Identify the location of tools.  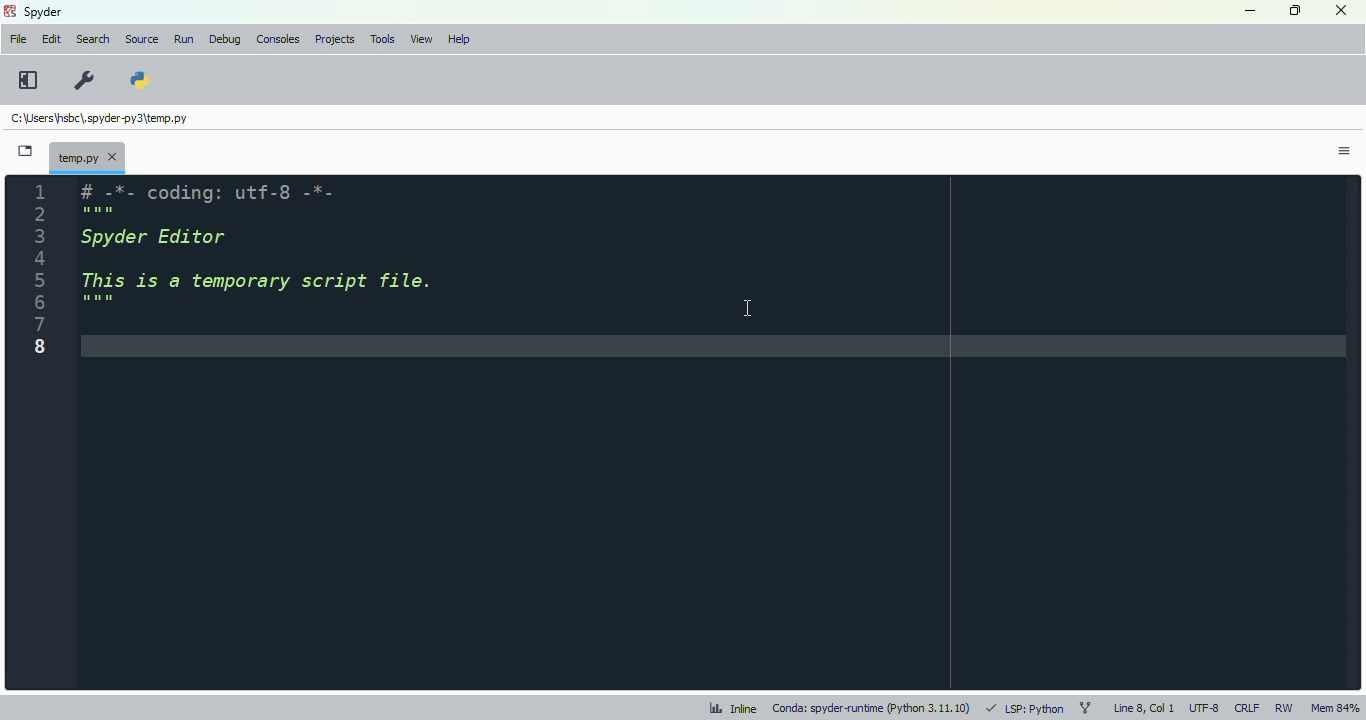
(382, 39).